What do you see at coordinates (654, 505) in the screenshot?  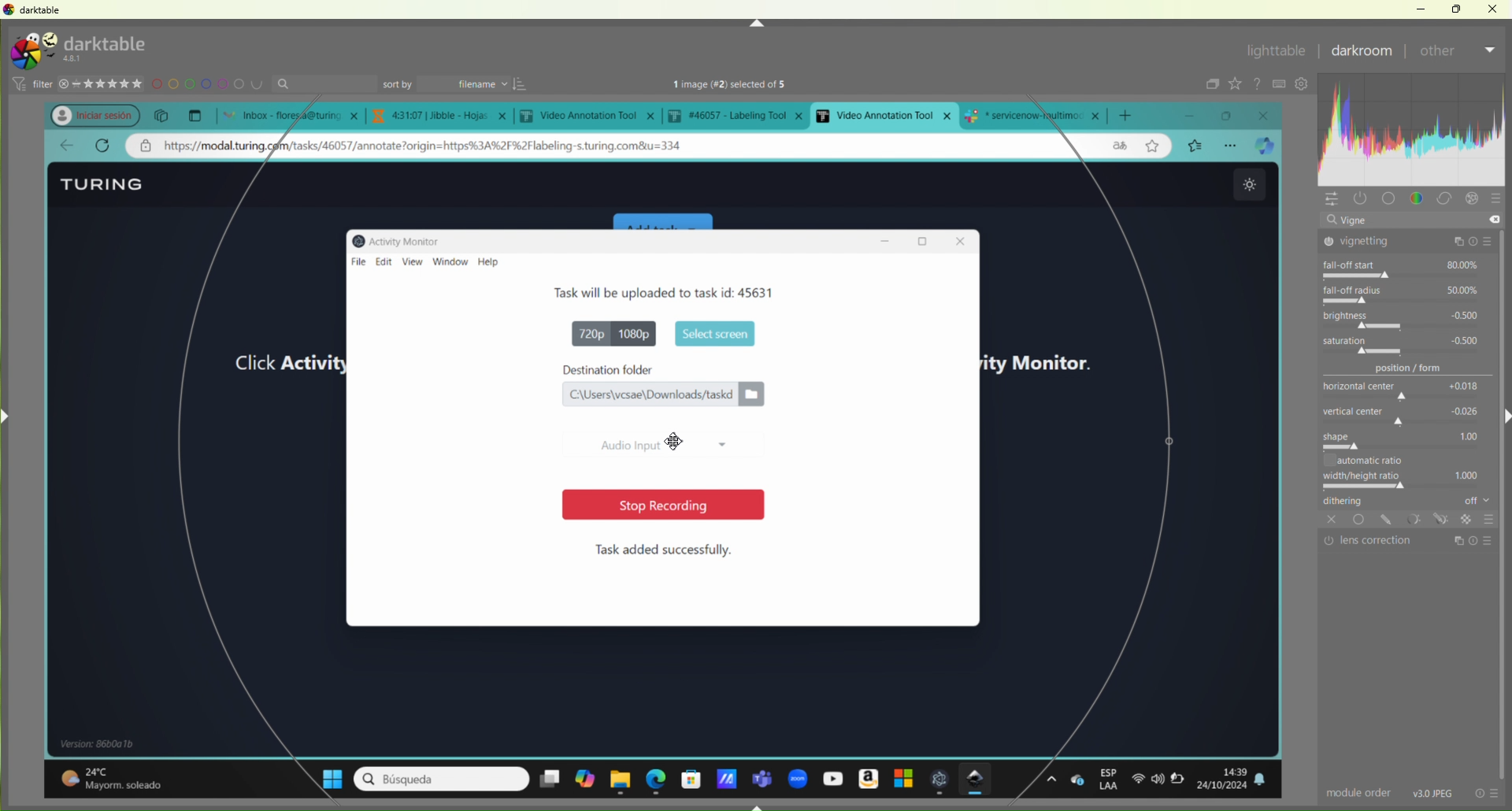 I see `stop recording` at bounding box center [654, 505].